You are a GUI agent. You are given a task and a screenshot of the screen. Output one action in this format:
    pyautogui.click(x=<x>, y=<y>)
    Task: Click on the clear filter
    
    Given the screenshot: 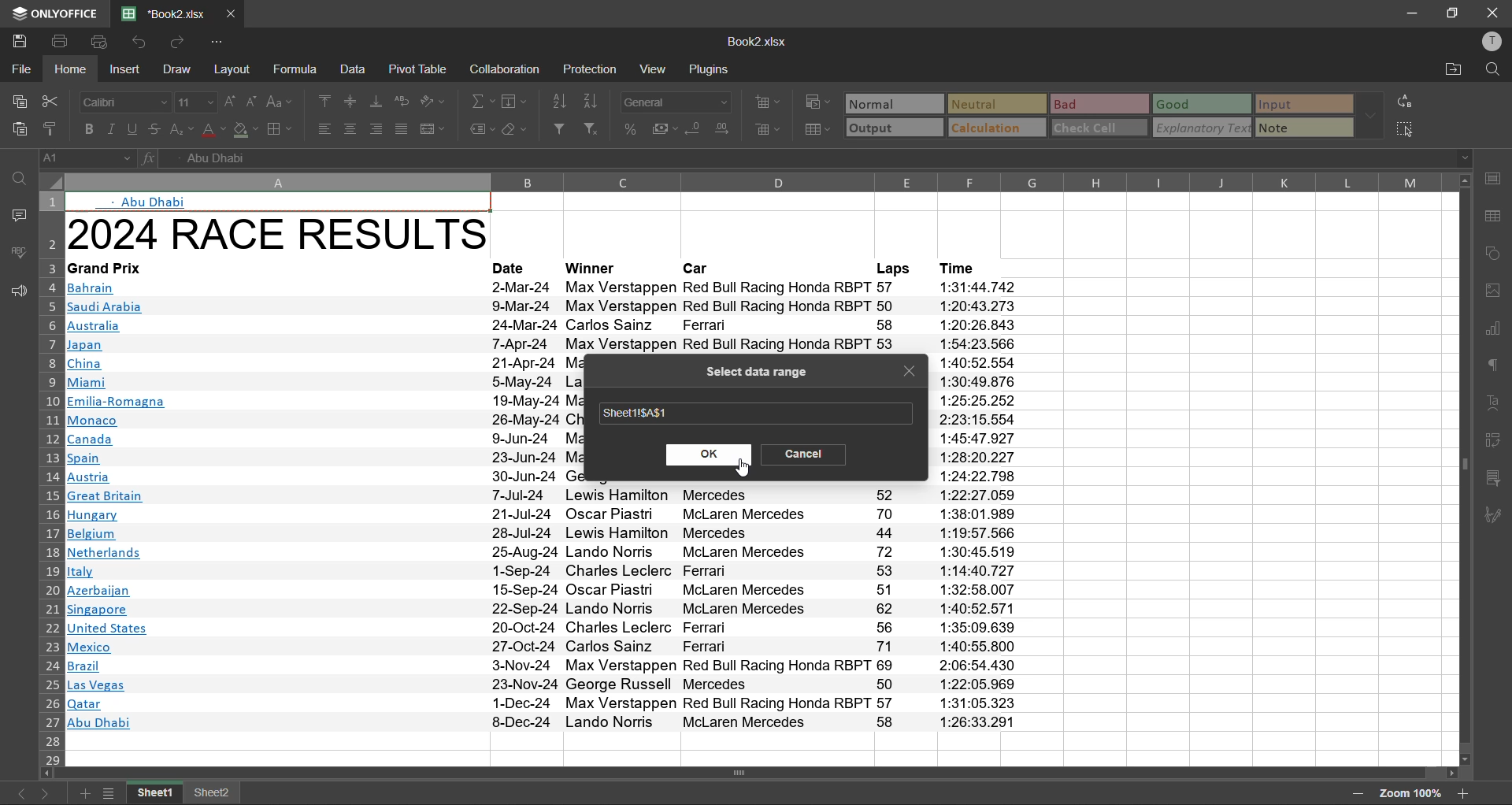 What is the action you would take?
    pyautogui.click(x=591, y=127)
    